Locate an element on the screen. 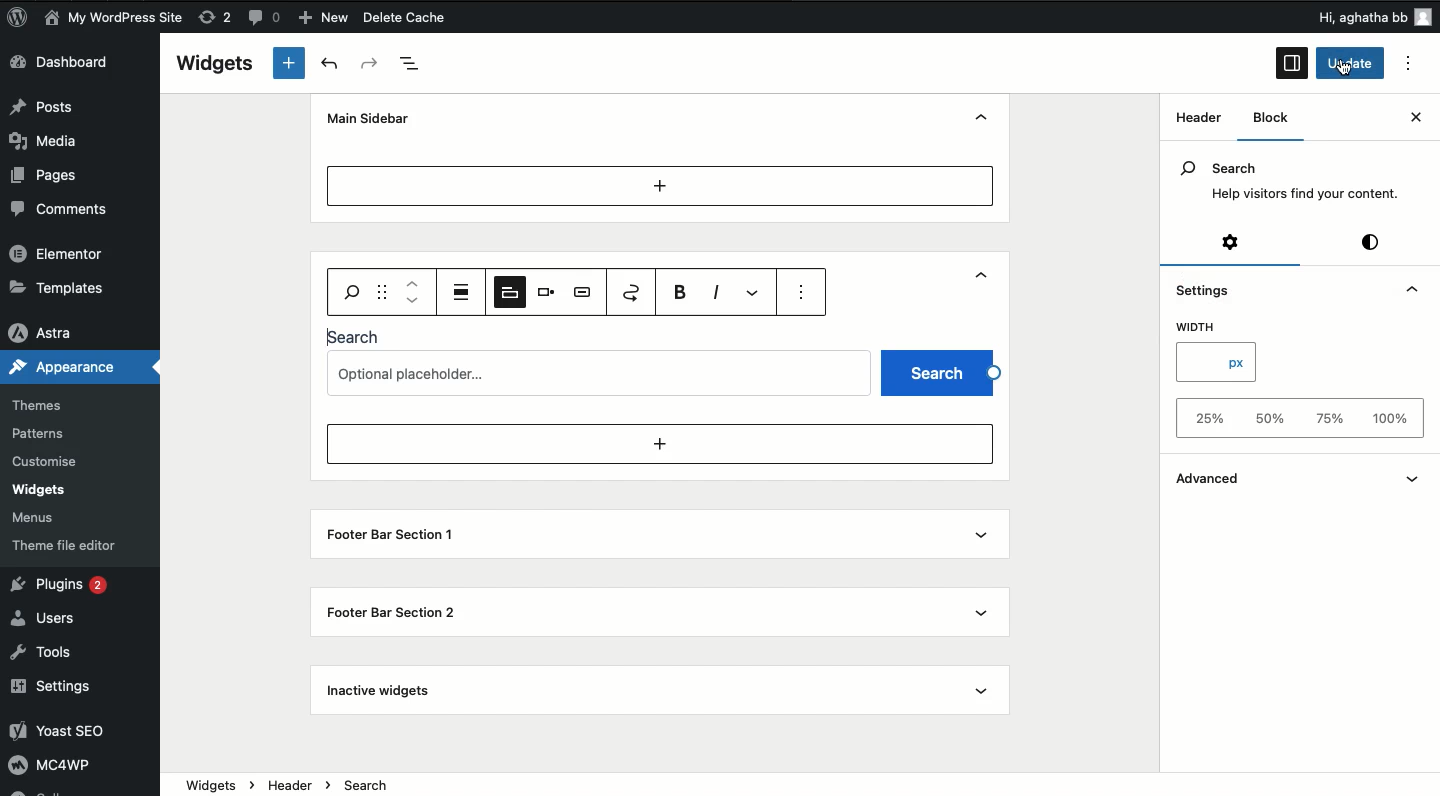 This screenshot has height=796, width=1440. Advanced is located at coordinates (1228, 477).